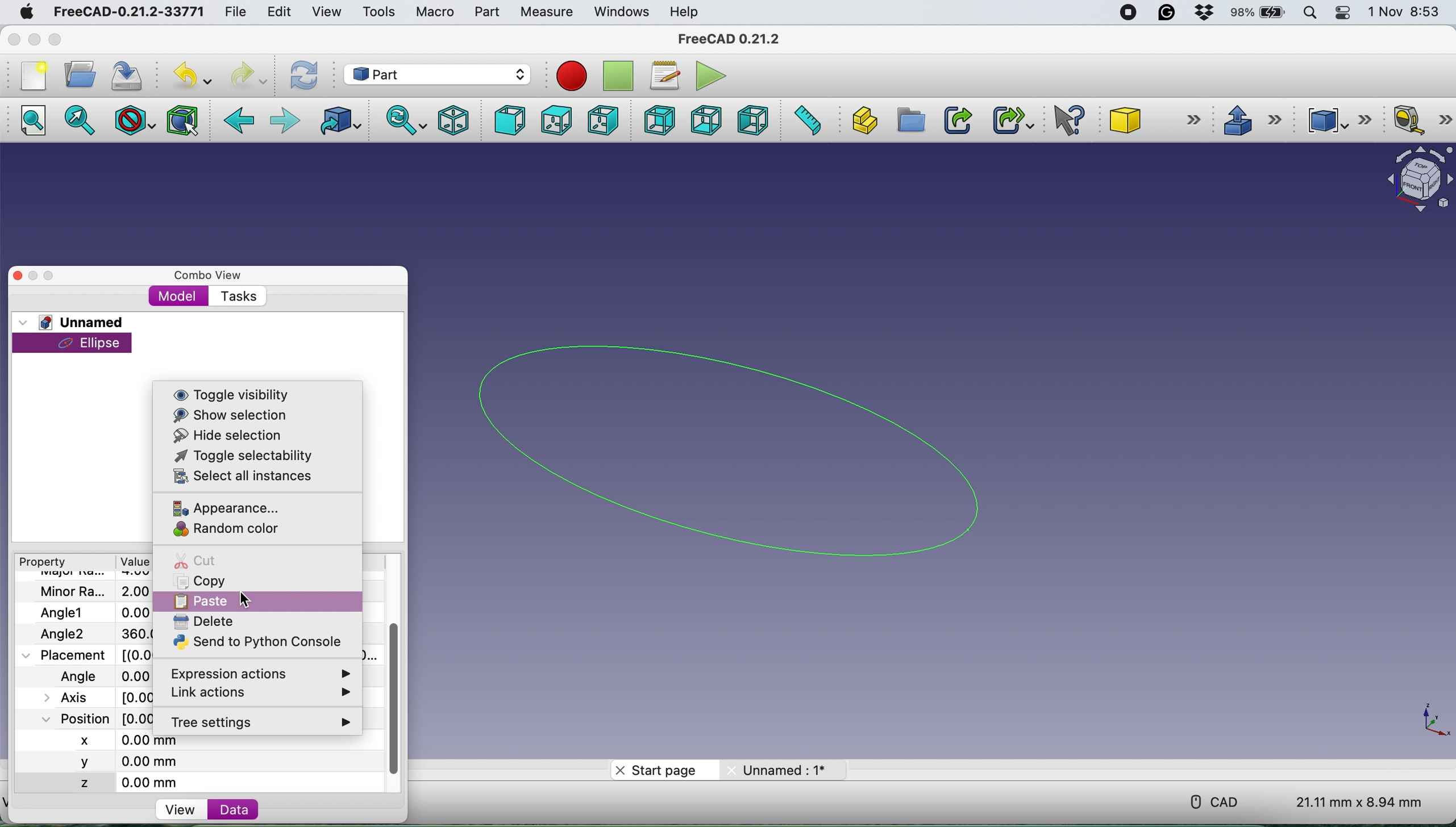 The width and height of the screenshot is (1456, 827). Describe the element at coordinates (434, 12) in the screenshot. I see `macro` at that location.